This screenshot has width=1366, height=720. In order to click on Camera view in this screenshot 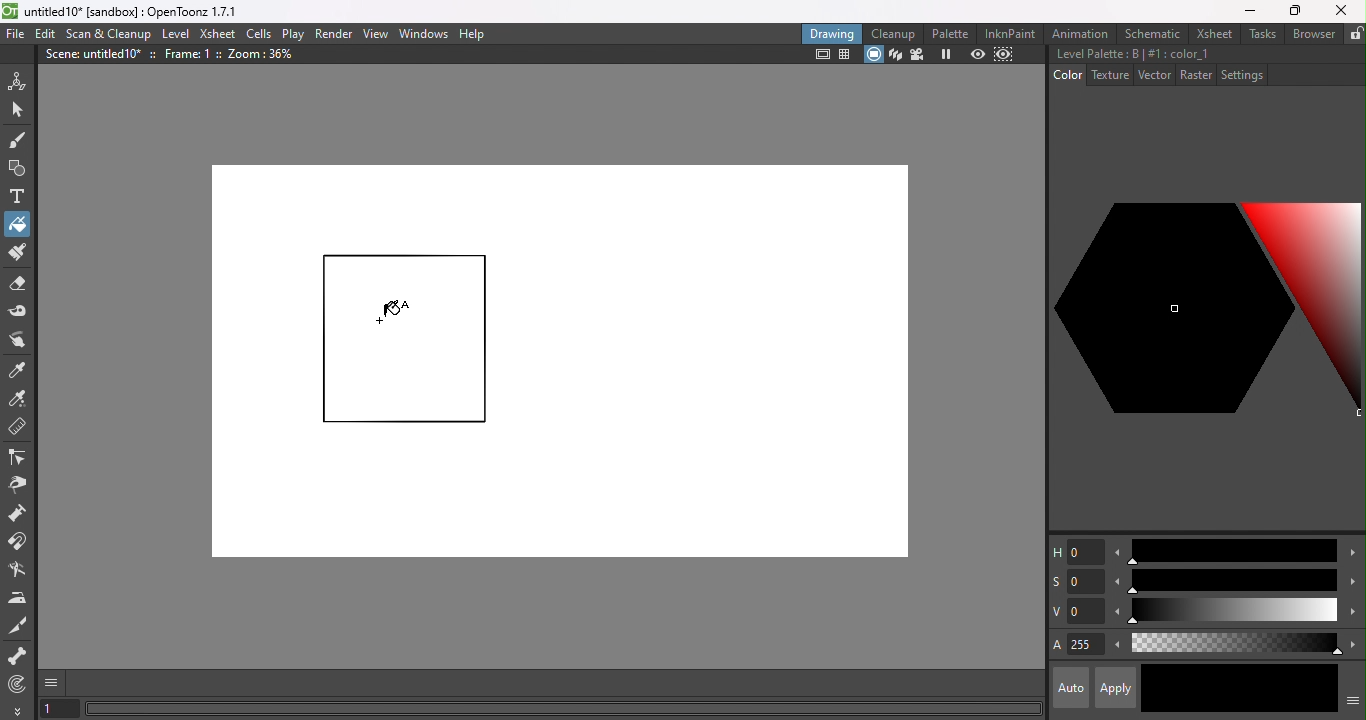, I will do `click(916, 55)`.